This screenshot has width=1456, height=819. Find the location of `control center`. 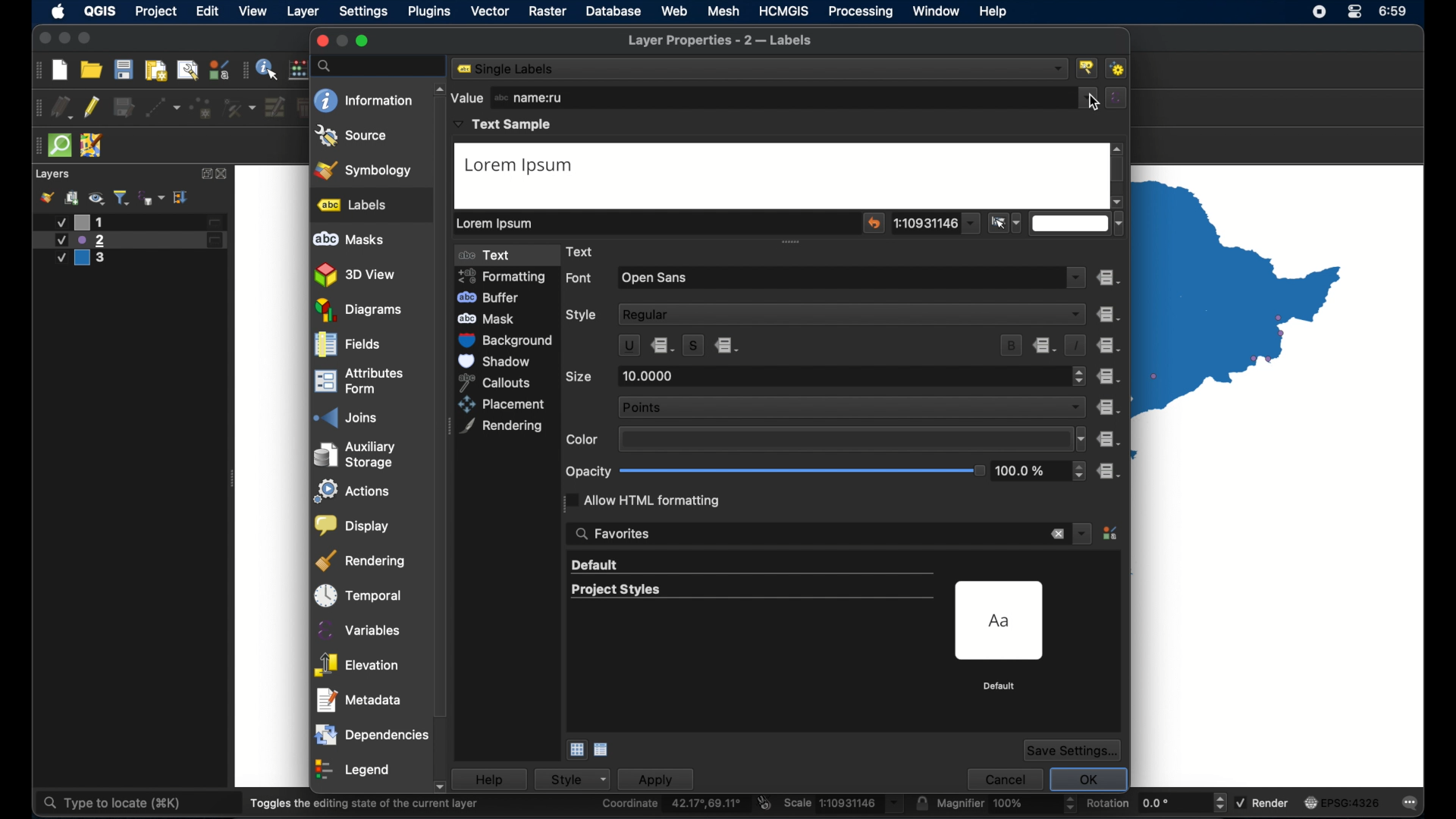

control center is located at coordinates (1356, 11).